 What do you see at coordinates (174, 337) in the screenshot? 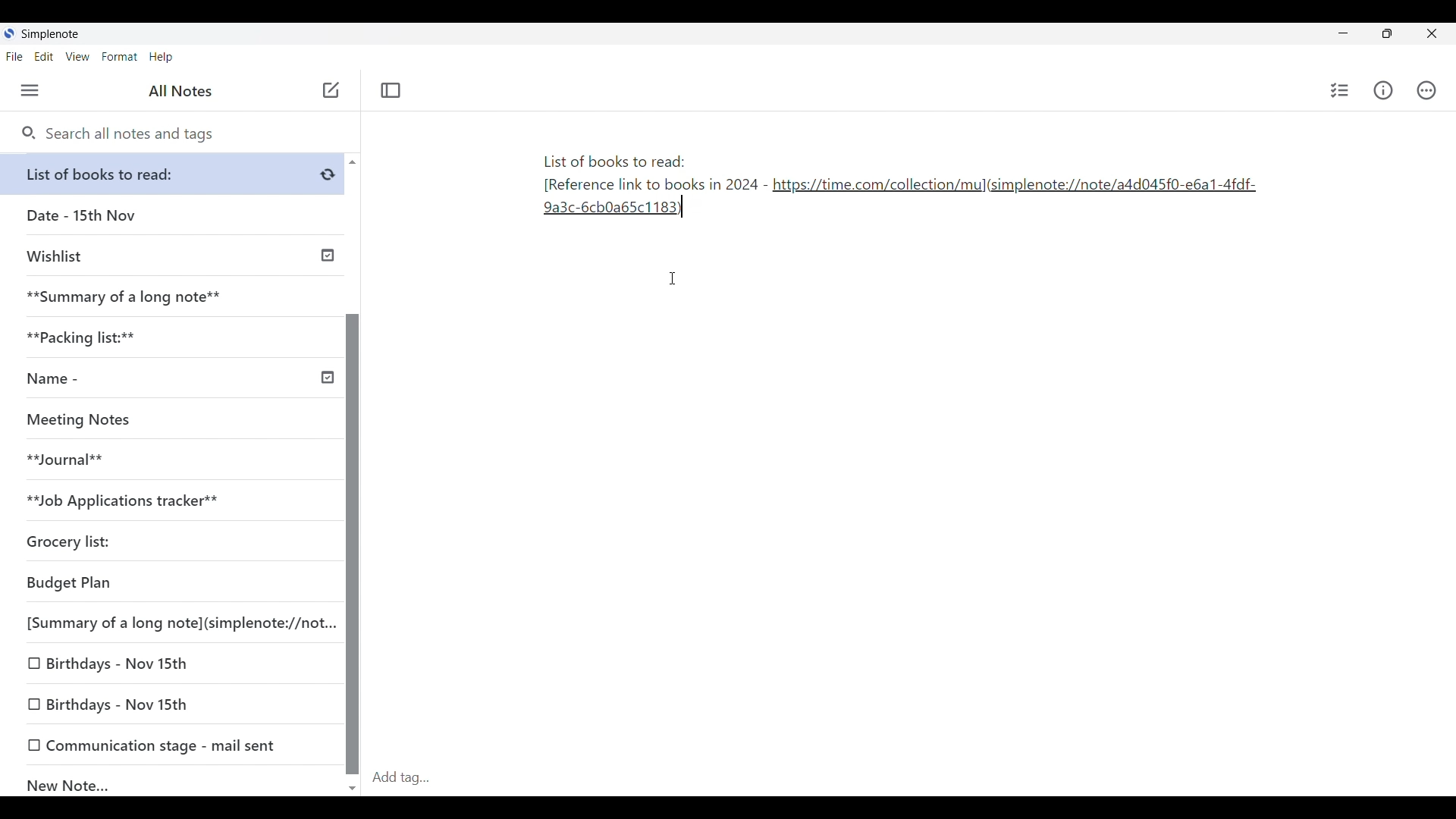
I see `**Packing list:**` at bounding box center [174, 337].